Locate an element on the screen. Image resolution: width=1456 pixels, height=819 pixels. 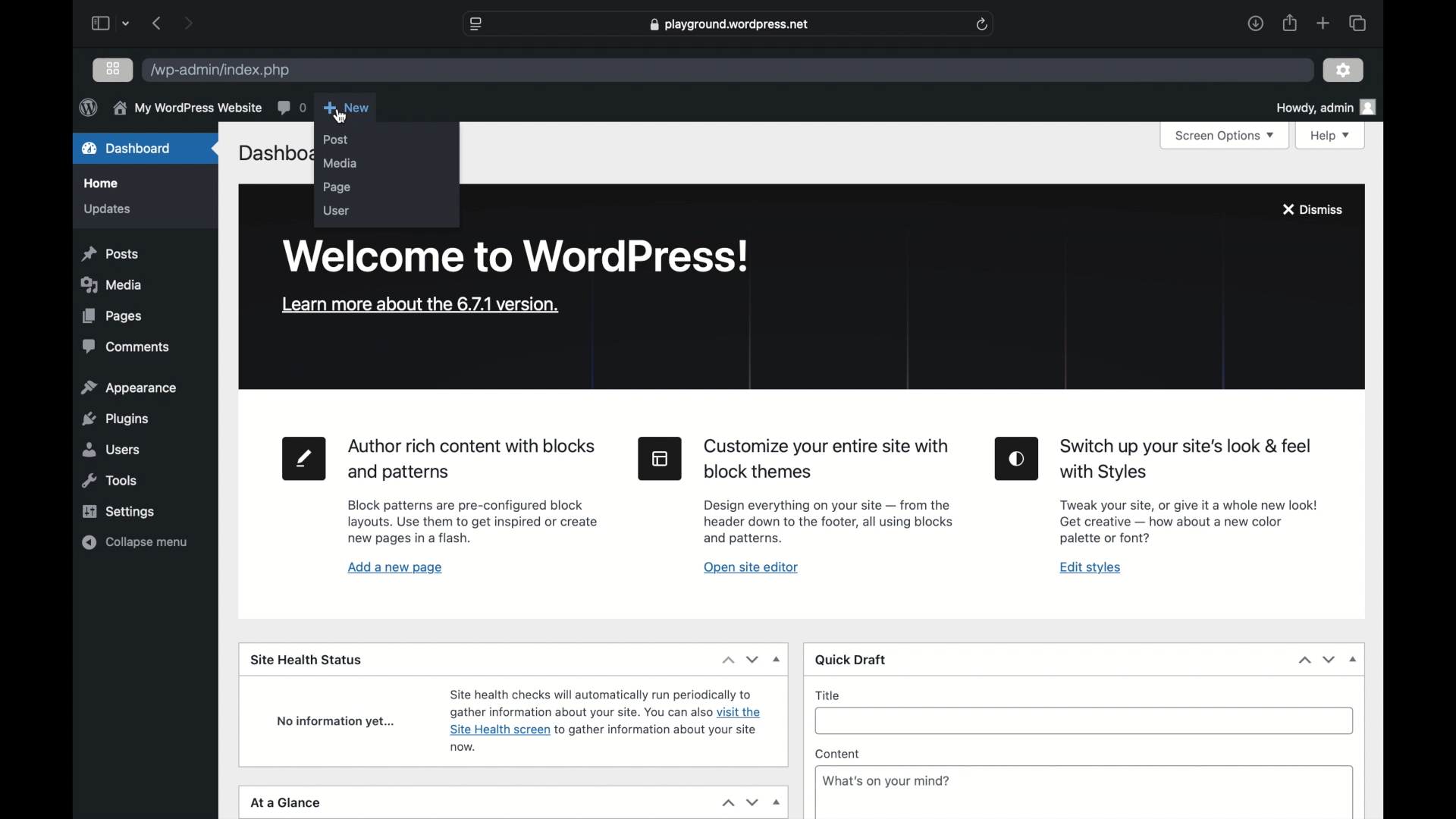
quick draft is located at coordinates (851, 661).